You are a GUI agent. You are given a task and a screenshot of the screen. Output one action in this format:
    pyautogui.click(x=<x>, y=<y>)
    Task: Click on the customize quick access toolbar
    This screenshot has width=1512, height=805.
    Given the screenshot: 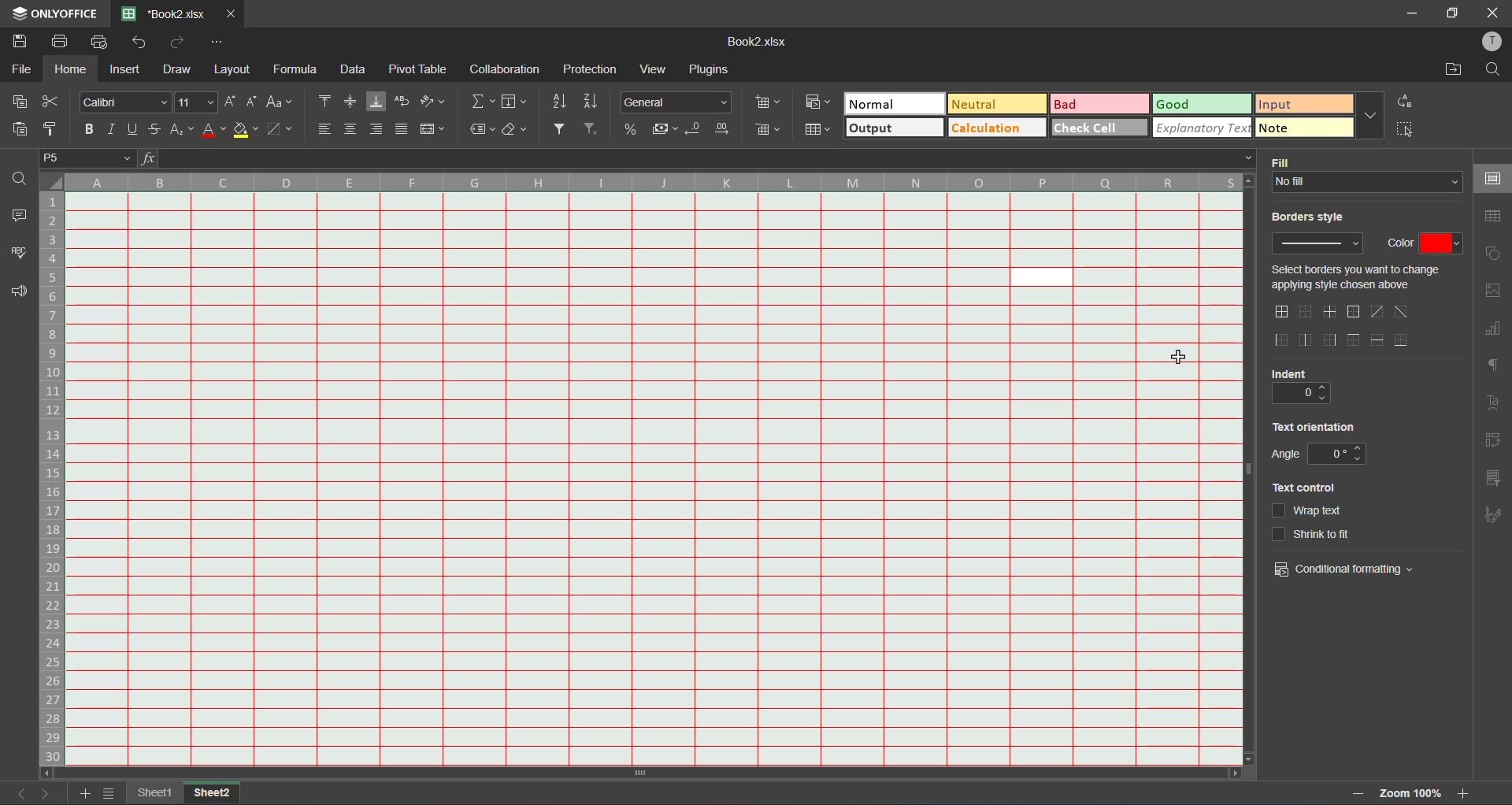 What is the action you would take?
    pyautogui.click(x=218, y=43)
    